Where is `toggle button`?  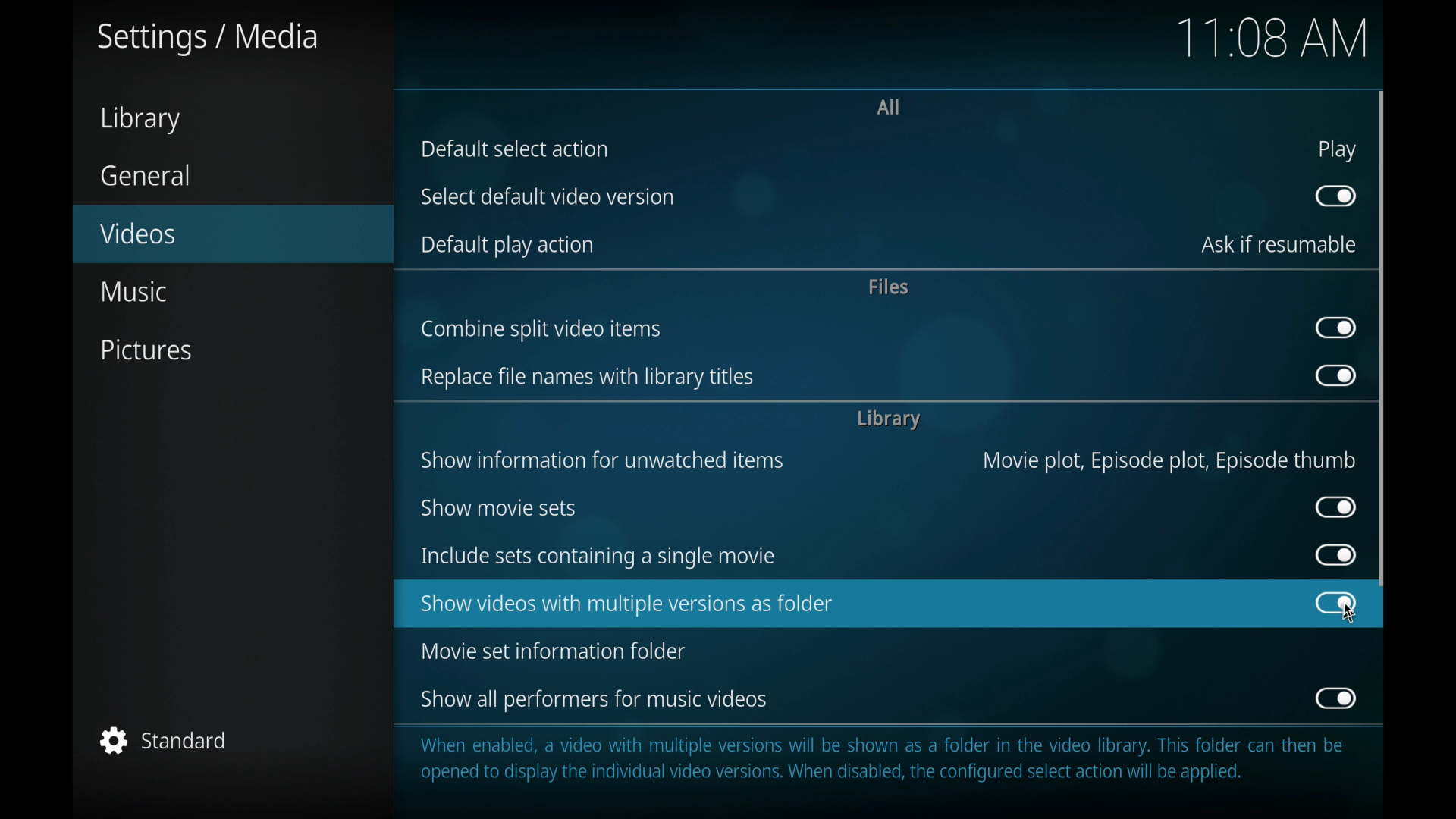
toggle button is located at coordinates (1336, 507).